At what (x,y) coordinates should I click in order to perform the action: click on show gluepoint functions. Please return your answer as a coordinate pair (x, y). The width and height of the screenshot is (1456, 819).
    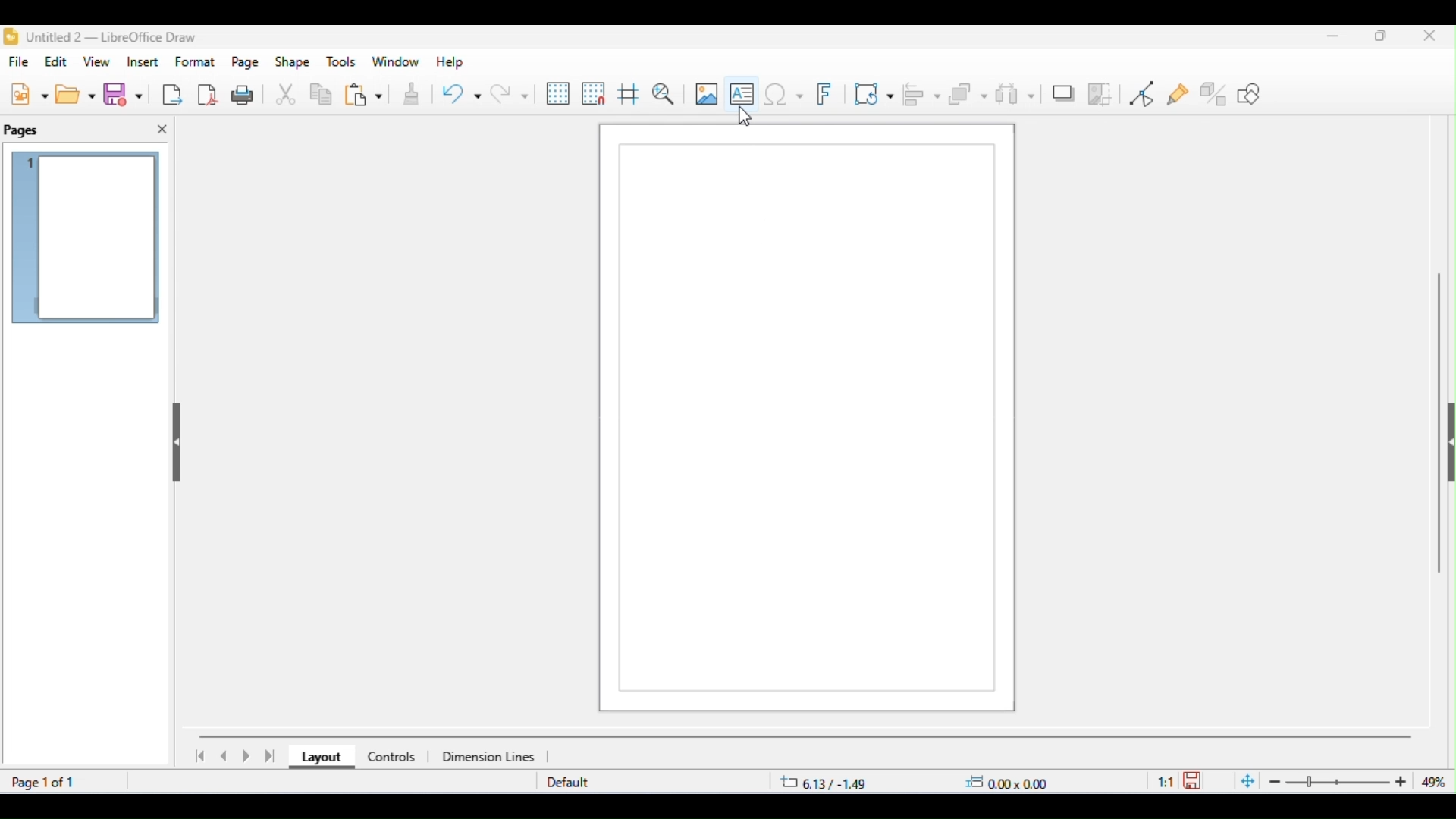
    Looking at the image, I should click on (1179, 96).